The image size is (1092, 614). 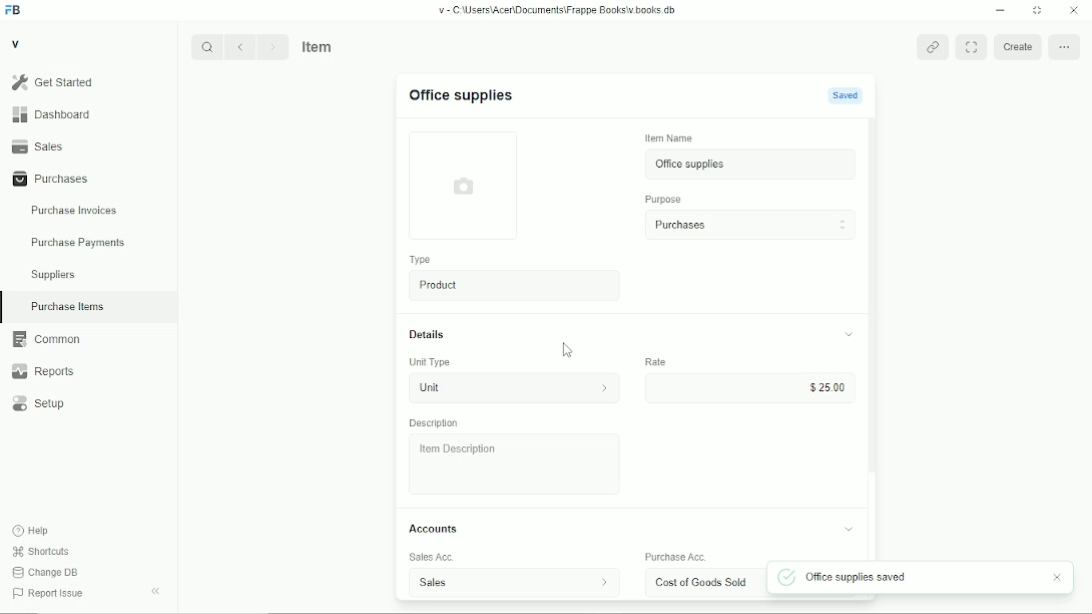 What do you see at coordinates (77, 243) in the screenshot?
I see `purchase payments` at bounding box center [77, 243].